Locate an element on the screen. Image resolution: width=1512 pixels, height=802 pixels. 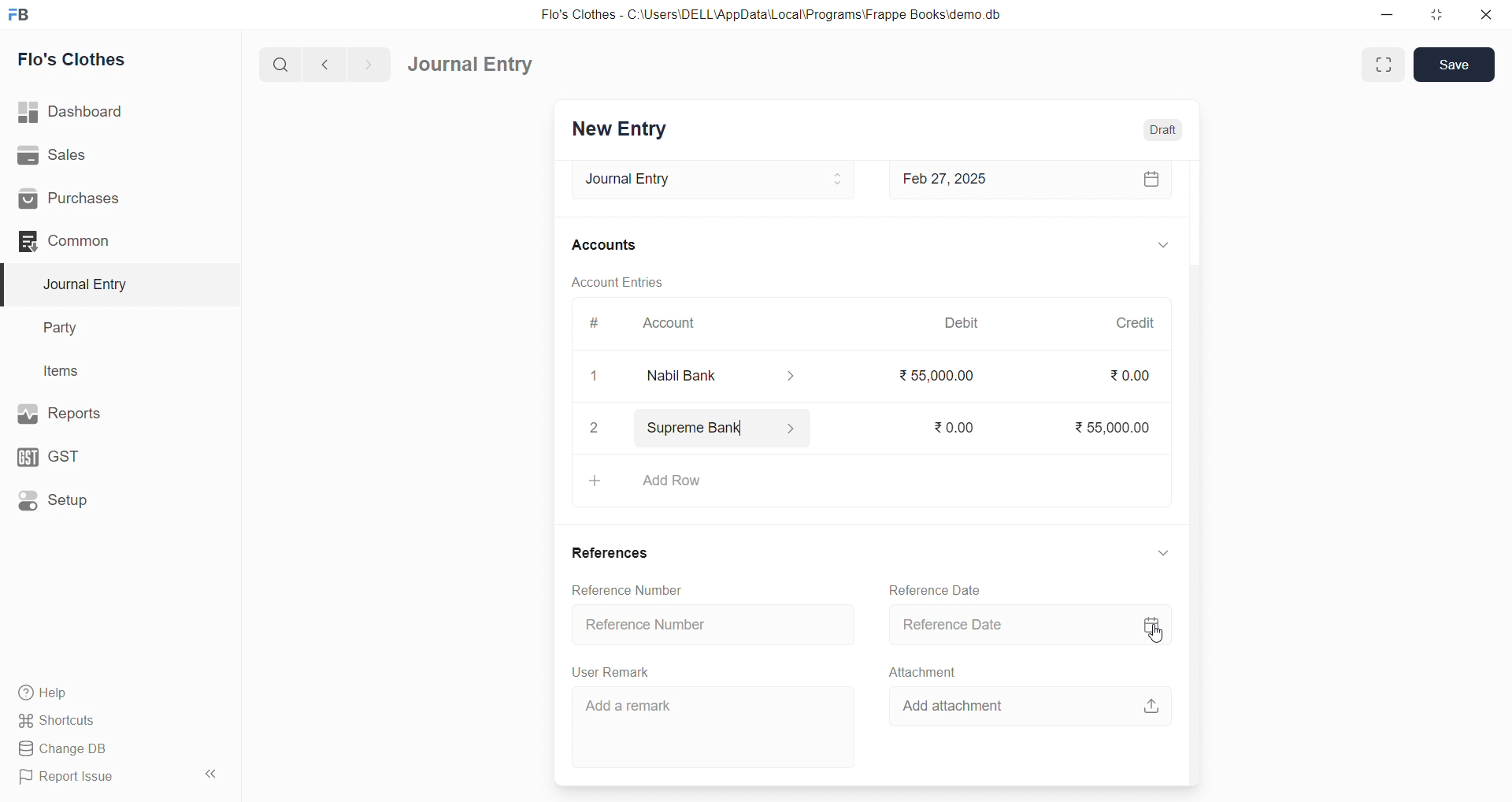
+ Add Row is located at coordinates (869, 481).